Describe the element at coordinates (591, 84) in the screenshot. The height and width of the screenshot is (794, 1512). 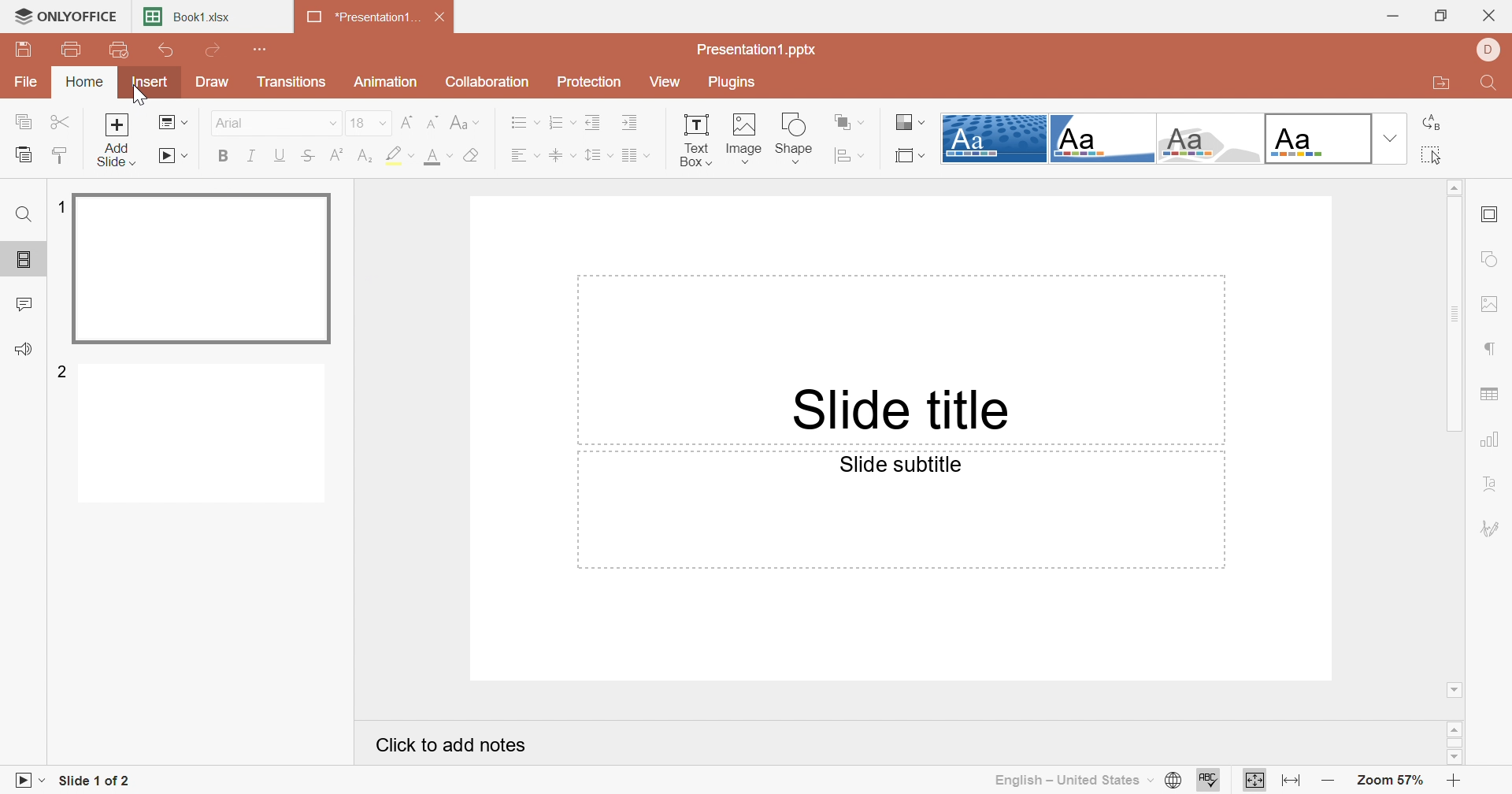
I see `Protection` at that location.